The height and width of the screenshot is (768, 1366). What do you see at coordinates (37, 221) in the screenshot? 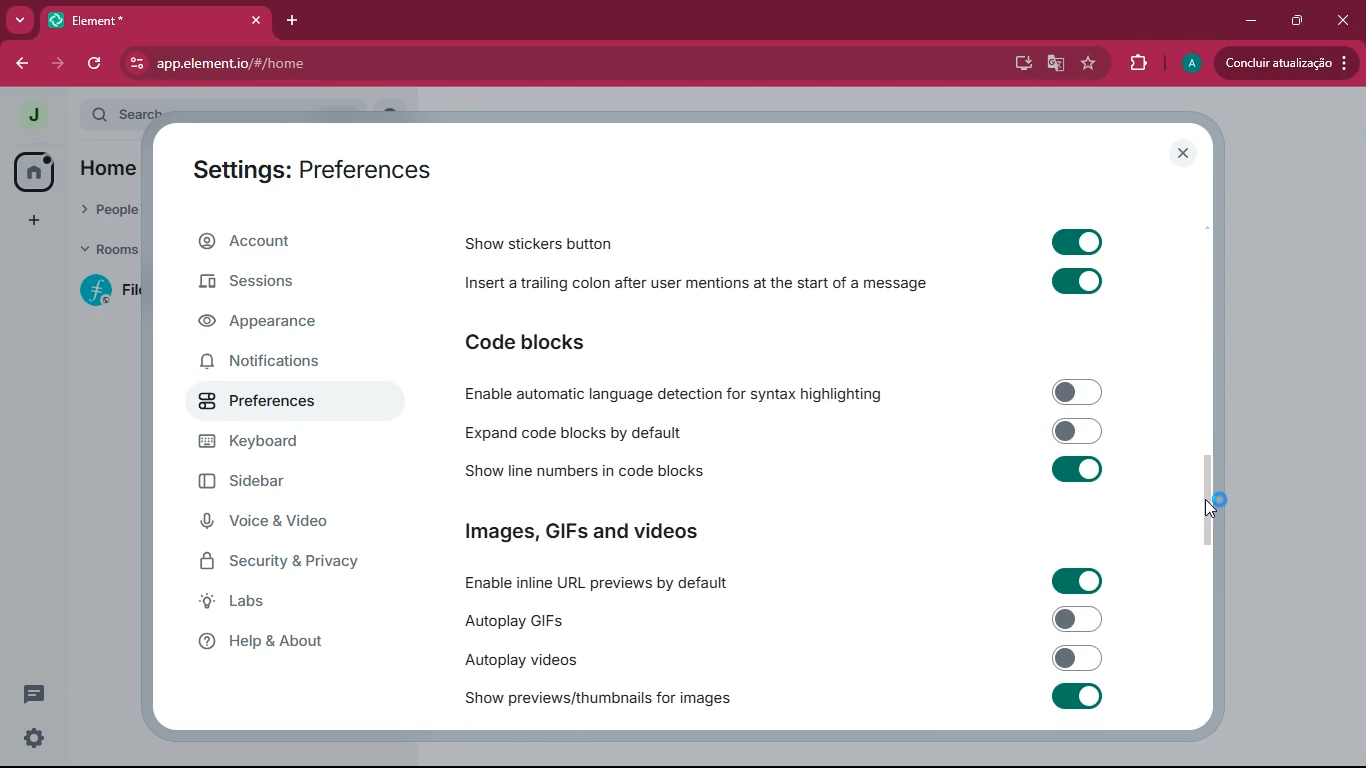
I see `add` at bounding box center [37, 221].